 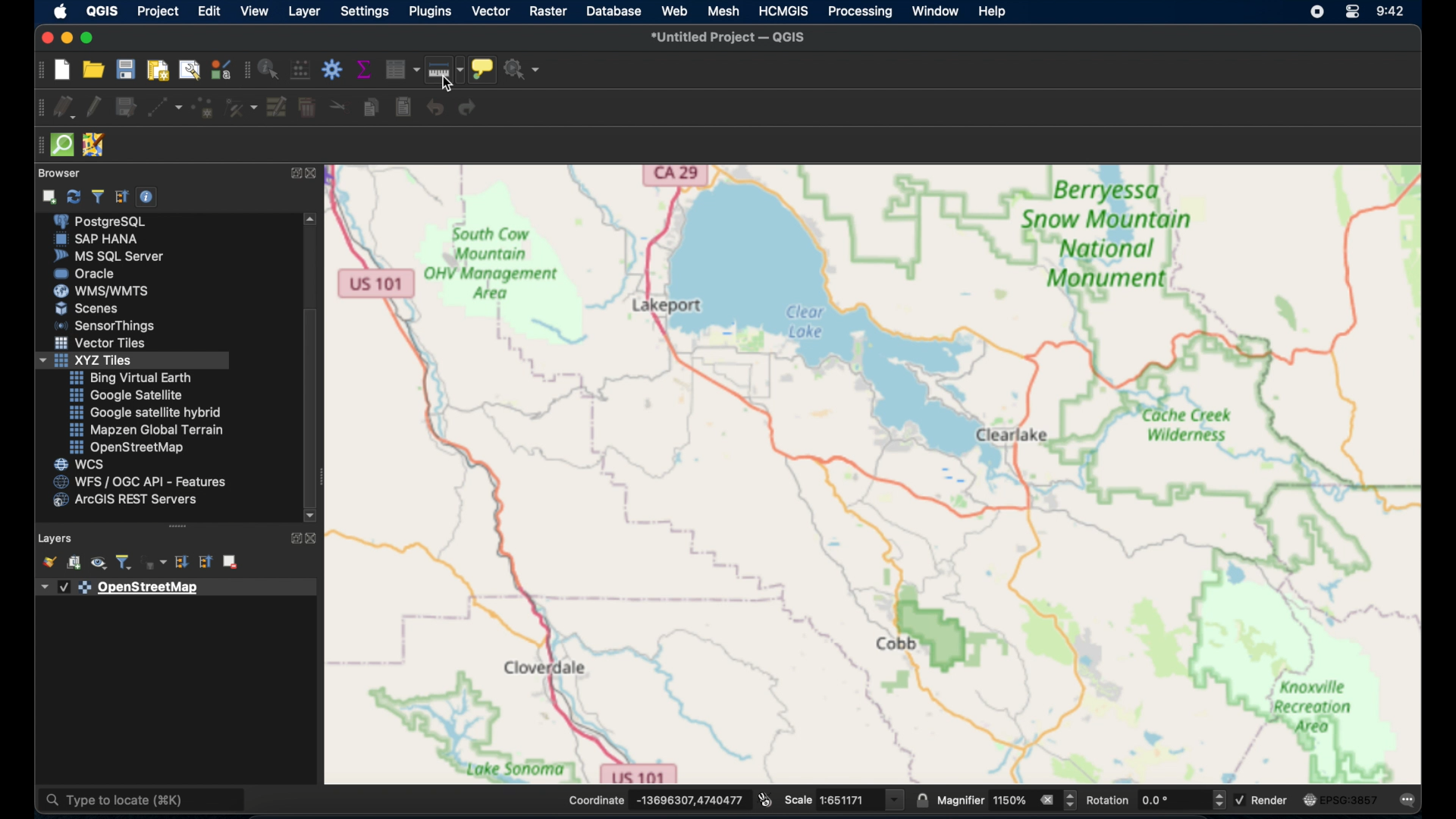 I want to click on mapzen global. terrain, so click(x=144, y=428).